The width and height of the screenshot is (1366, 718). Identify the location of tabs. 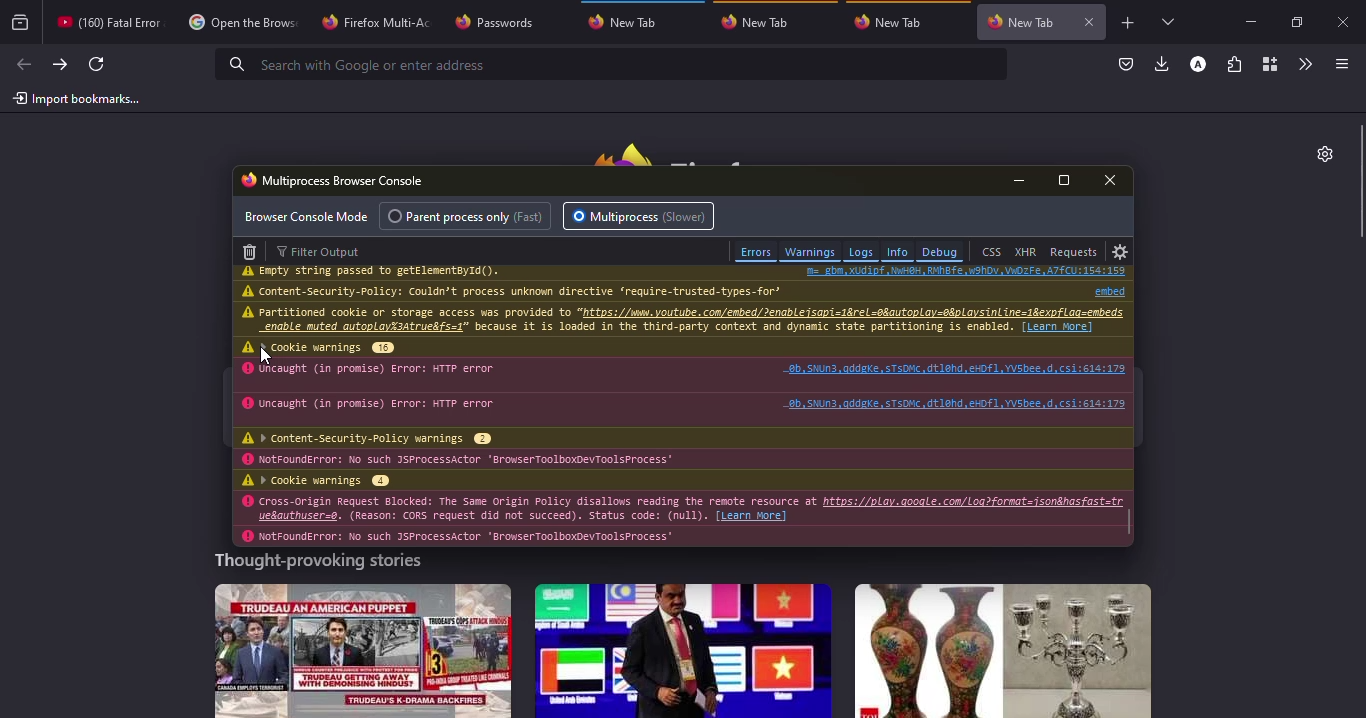
(1167, 22).